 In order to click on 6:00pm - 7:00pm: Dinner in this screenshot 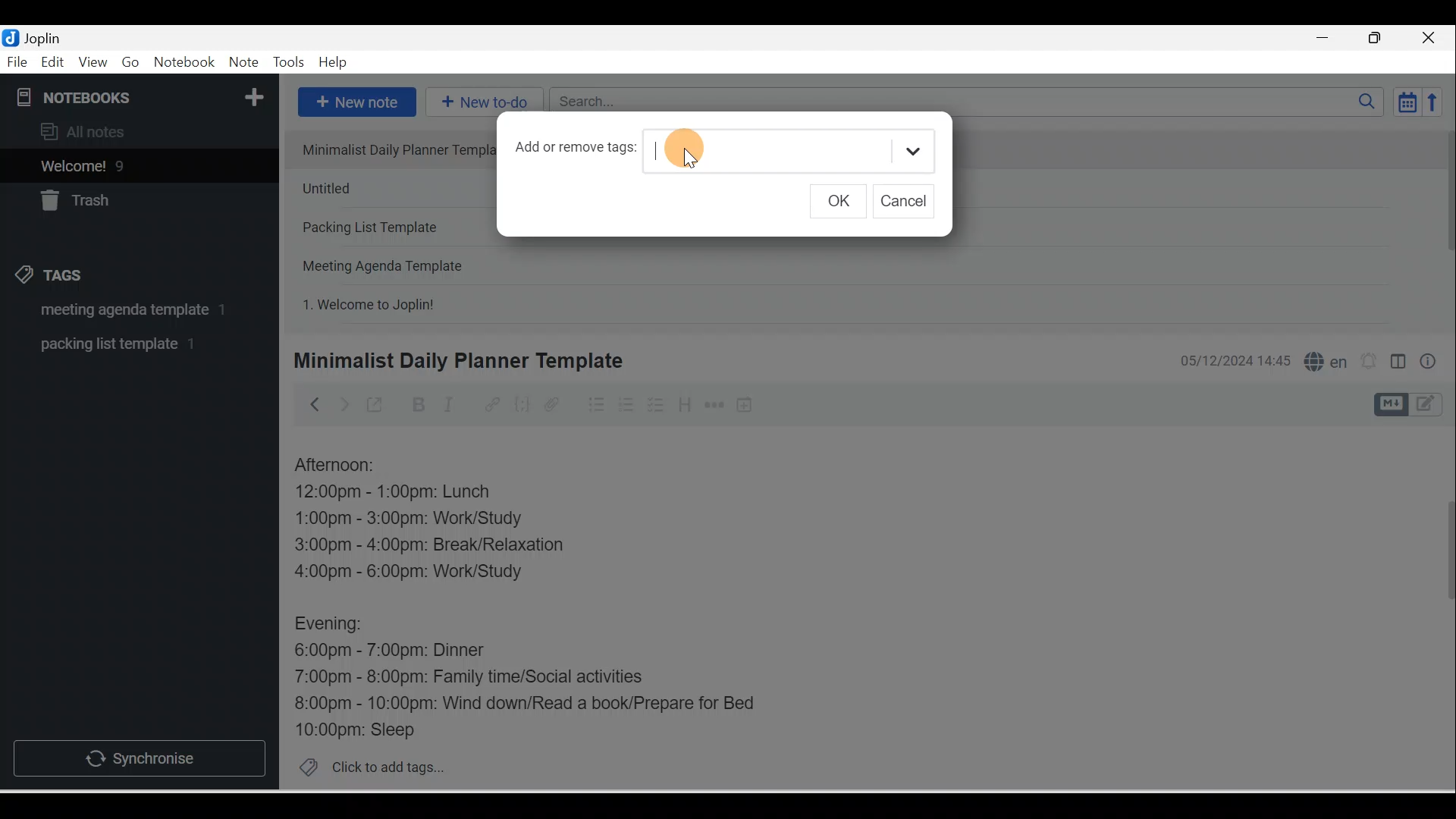, I will do `click(401, 651)`.